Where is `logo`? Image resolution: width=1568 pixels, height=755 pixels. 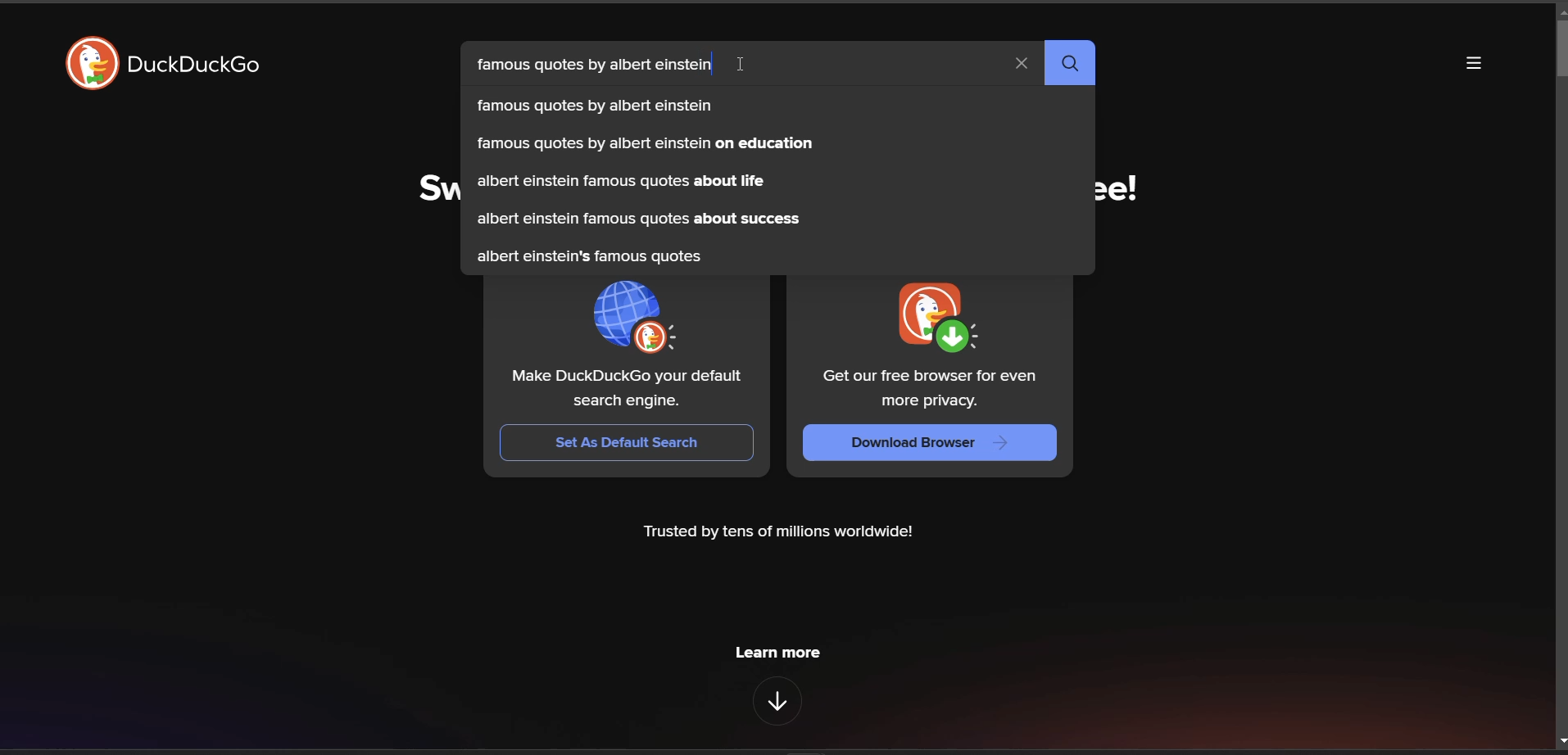 logo is located at coordinates (90, 62).